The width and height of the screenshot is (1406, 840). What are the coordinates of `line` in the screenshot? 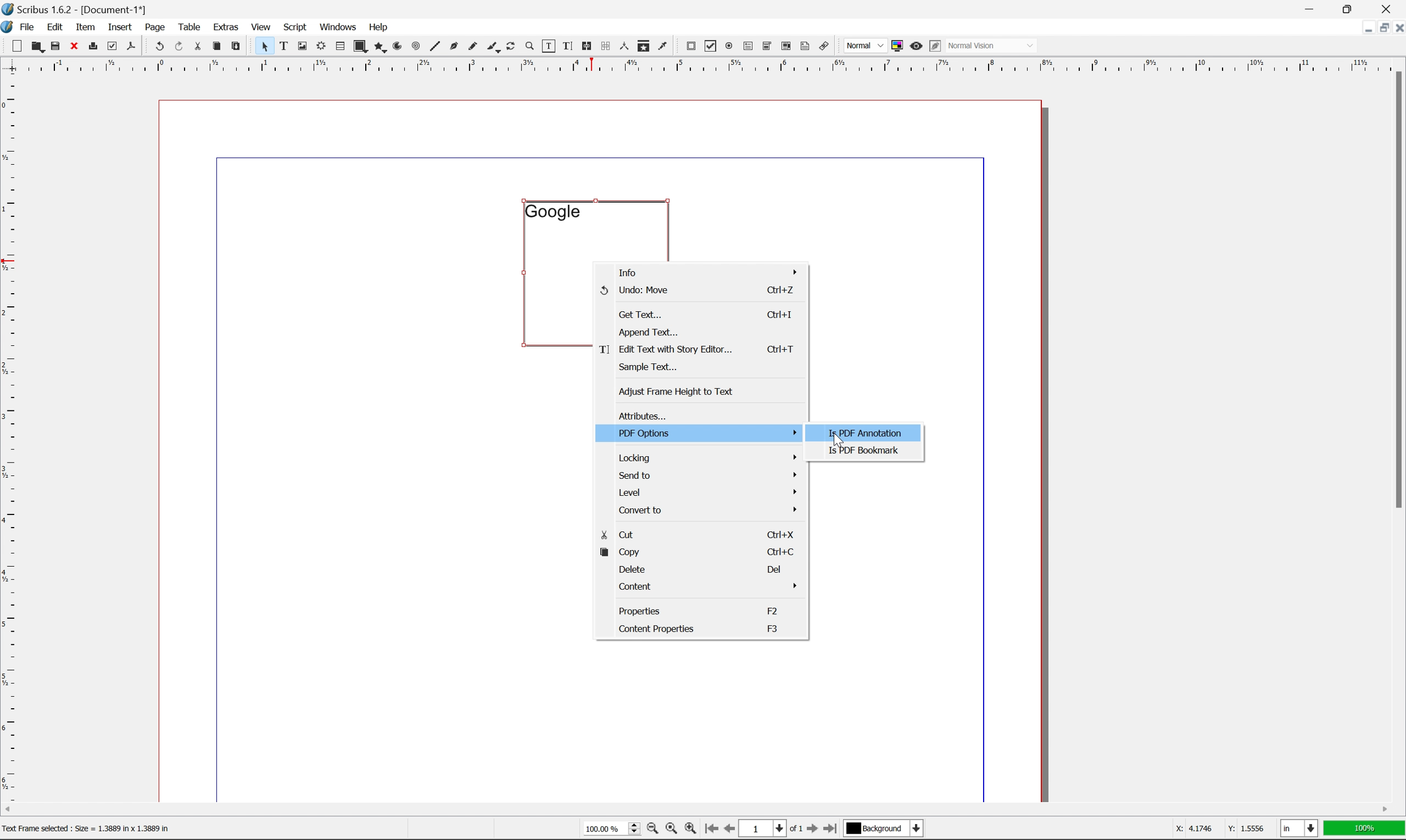 It's located at (435, 47).